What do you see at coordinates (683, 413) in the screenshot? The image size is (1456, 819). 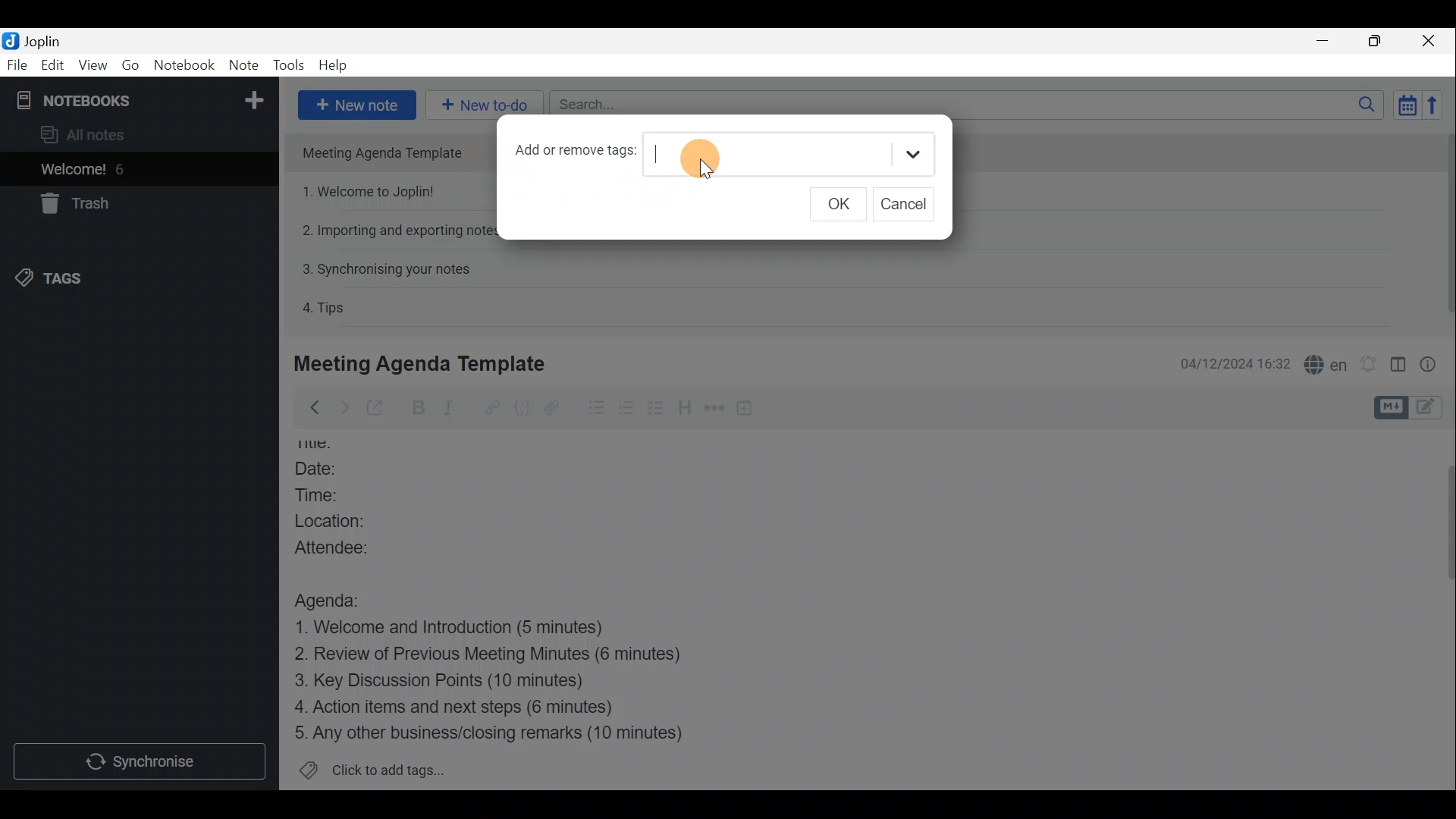 I see `Heading` at bounding box center [683, 413].